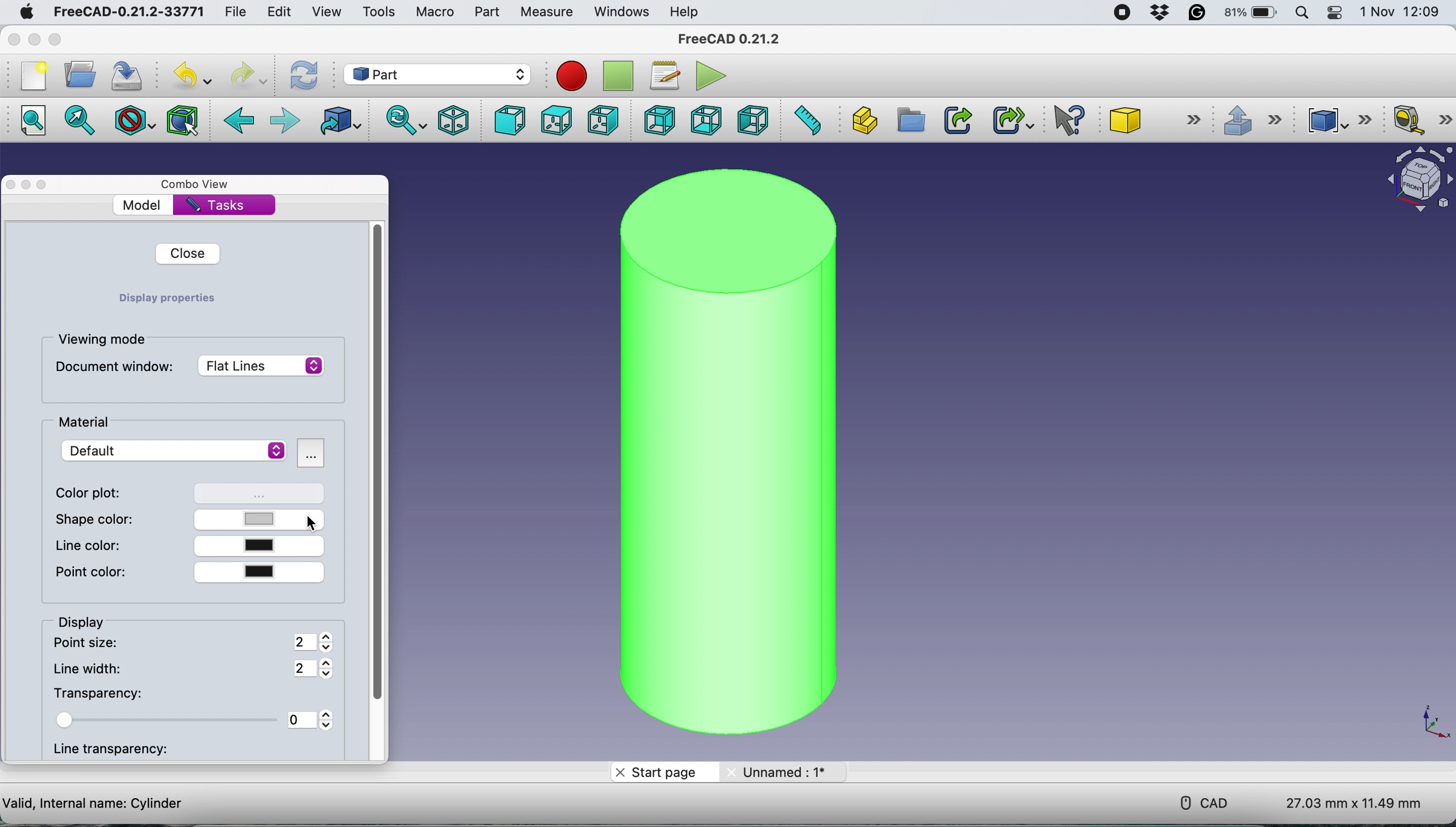 The height and width of the screenshot is (827, 1456). I want to click on start page, so click(661, 773).